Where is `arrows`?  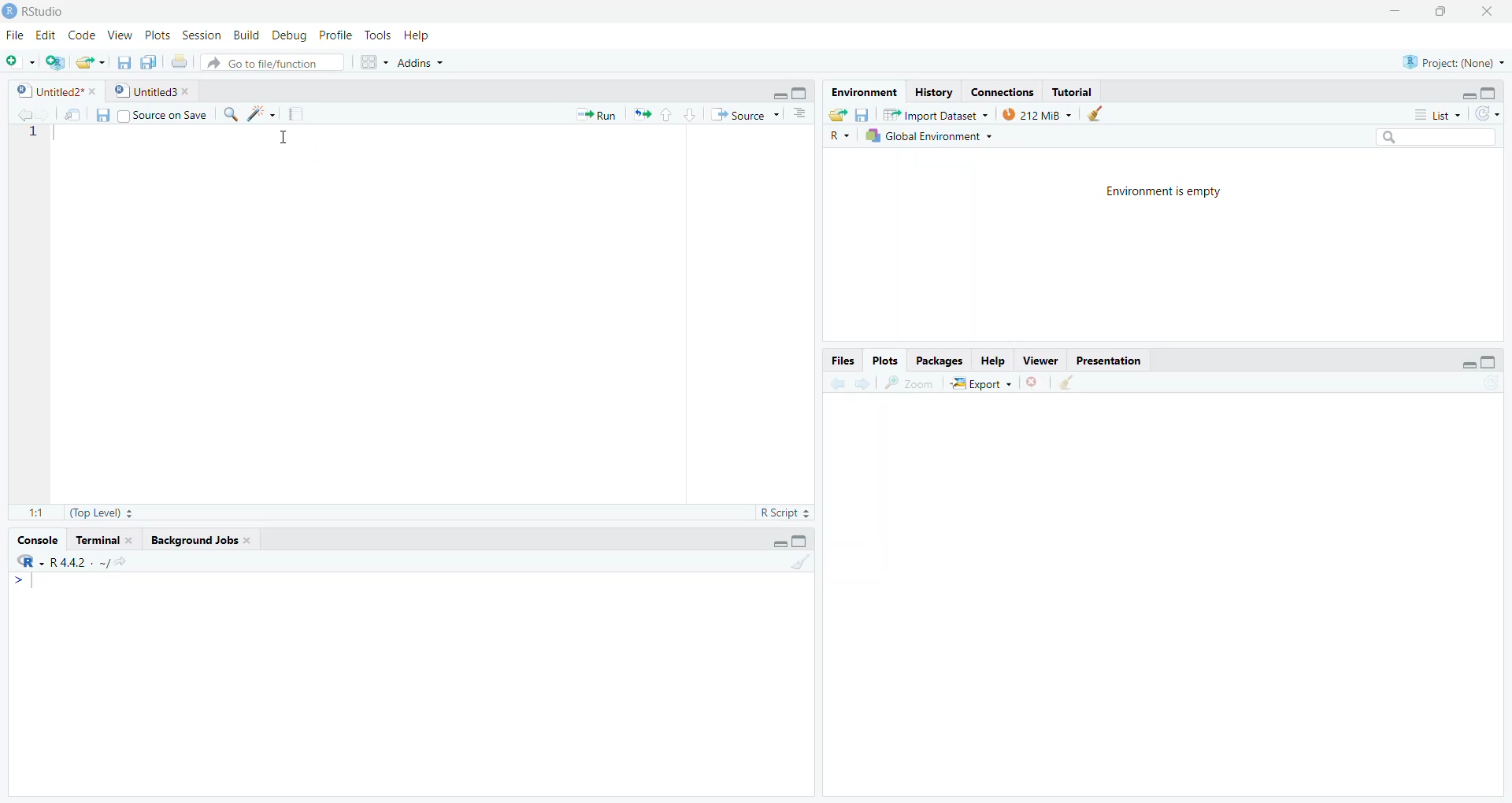 arrows is located at coordinates (639, 115).